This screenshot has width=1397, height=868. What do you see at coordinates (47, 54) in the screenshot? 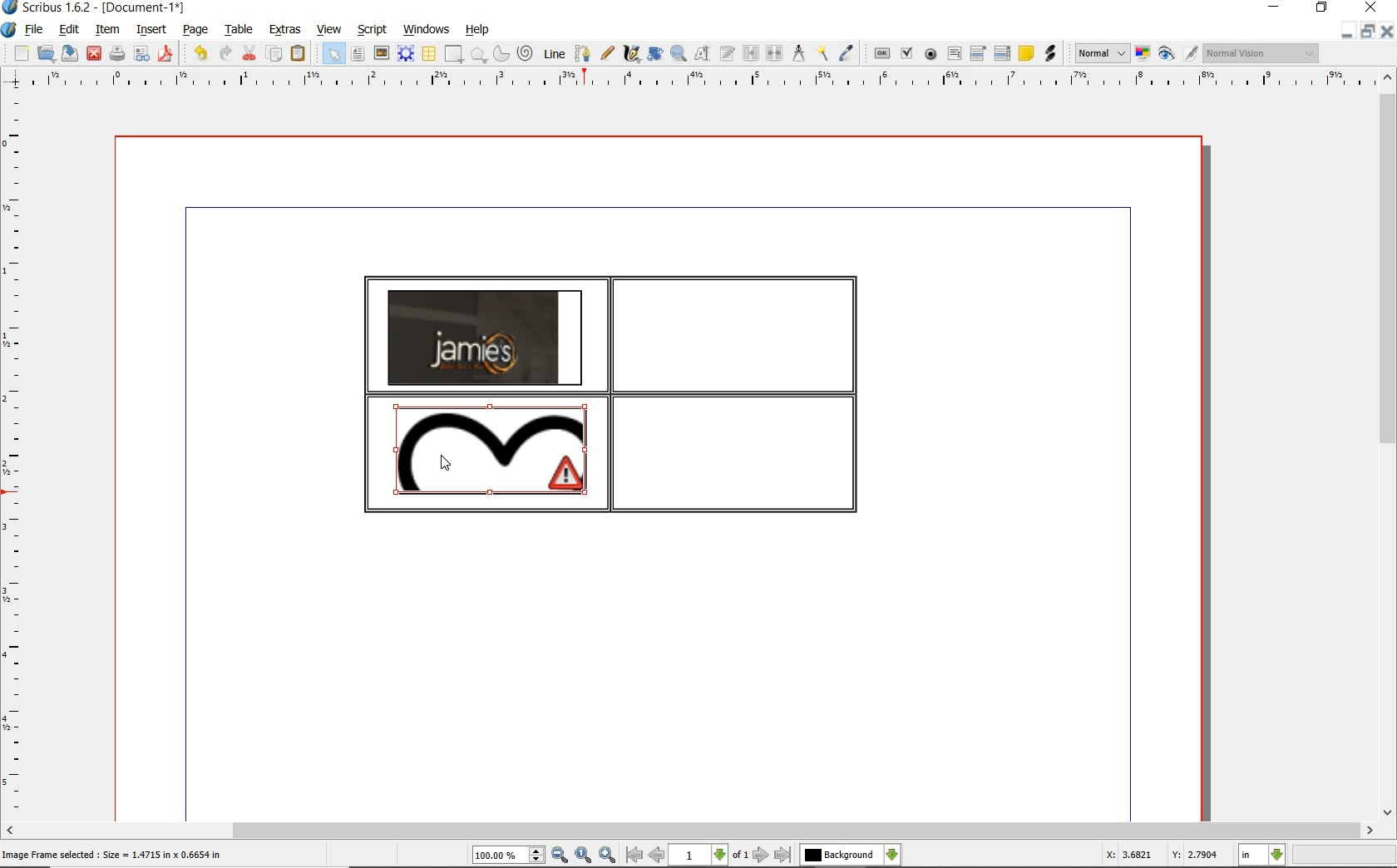
I see `open` at bounding box center [47, 54].